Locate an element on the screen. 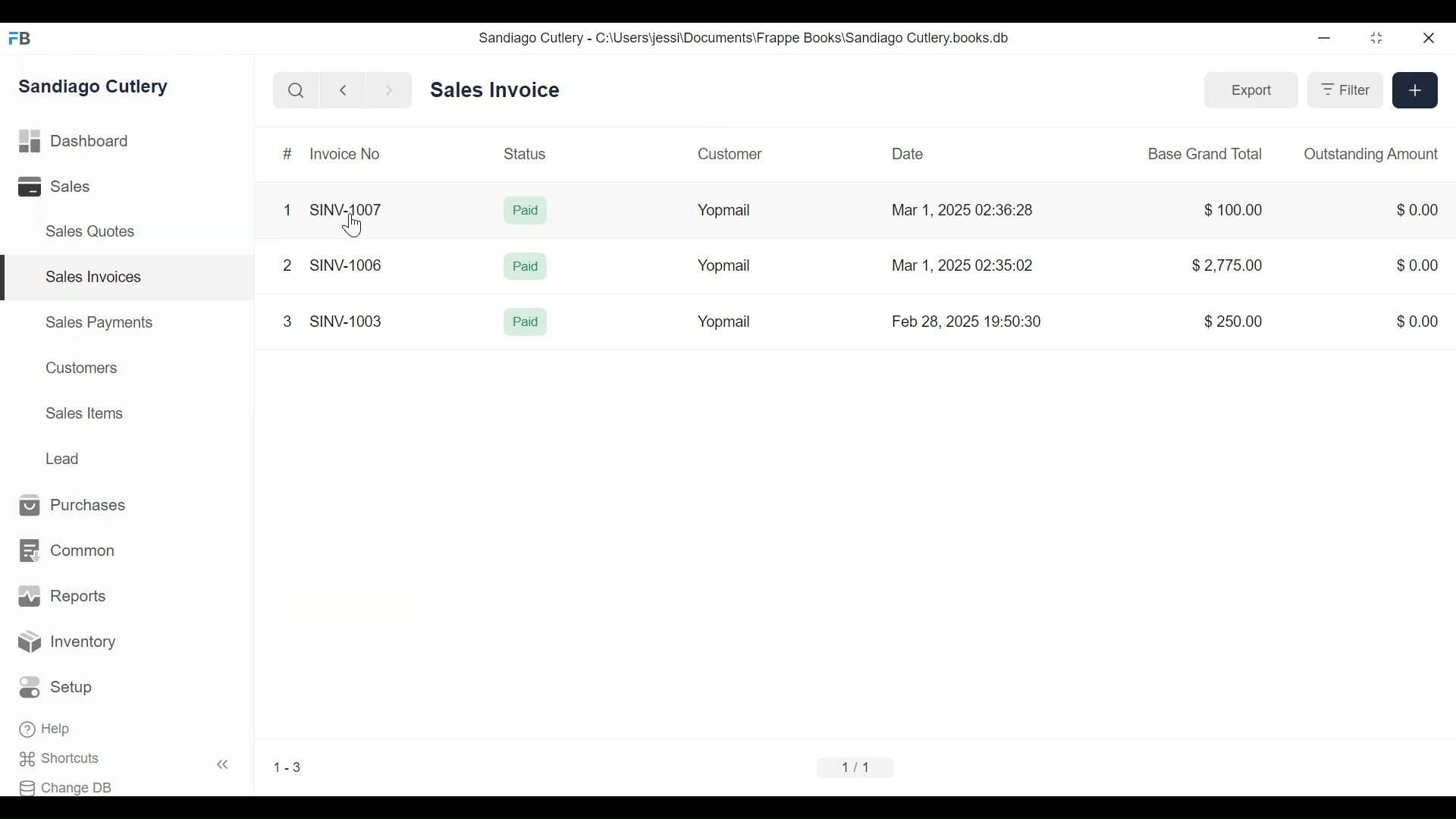 The image size is (1456, 819).  Sales is located at coordinates (52, 186).